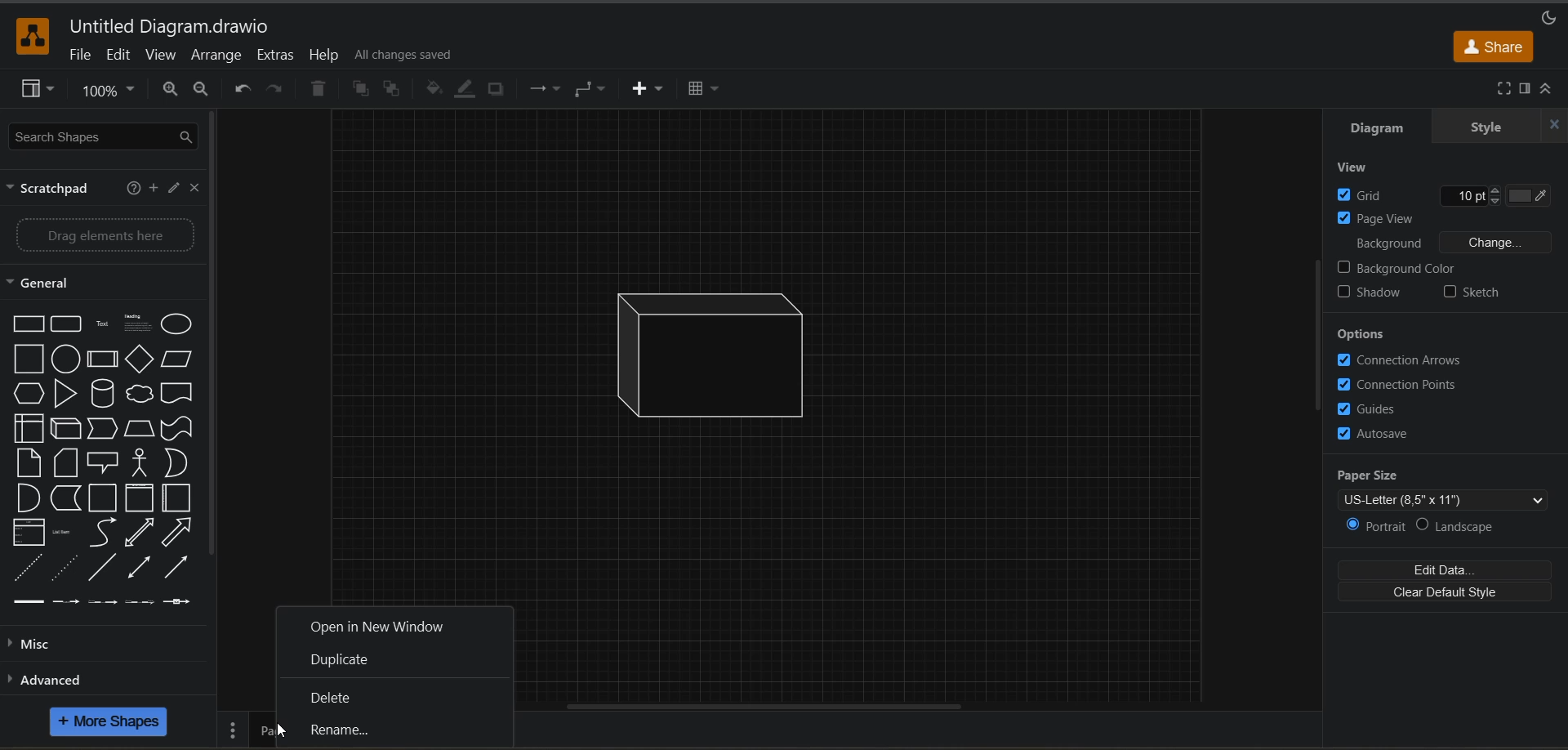  What do you see at coordinates (496, 92) in the screenshot?
I see `shadow` at bounding box center [496, 92].